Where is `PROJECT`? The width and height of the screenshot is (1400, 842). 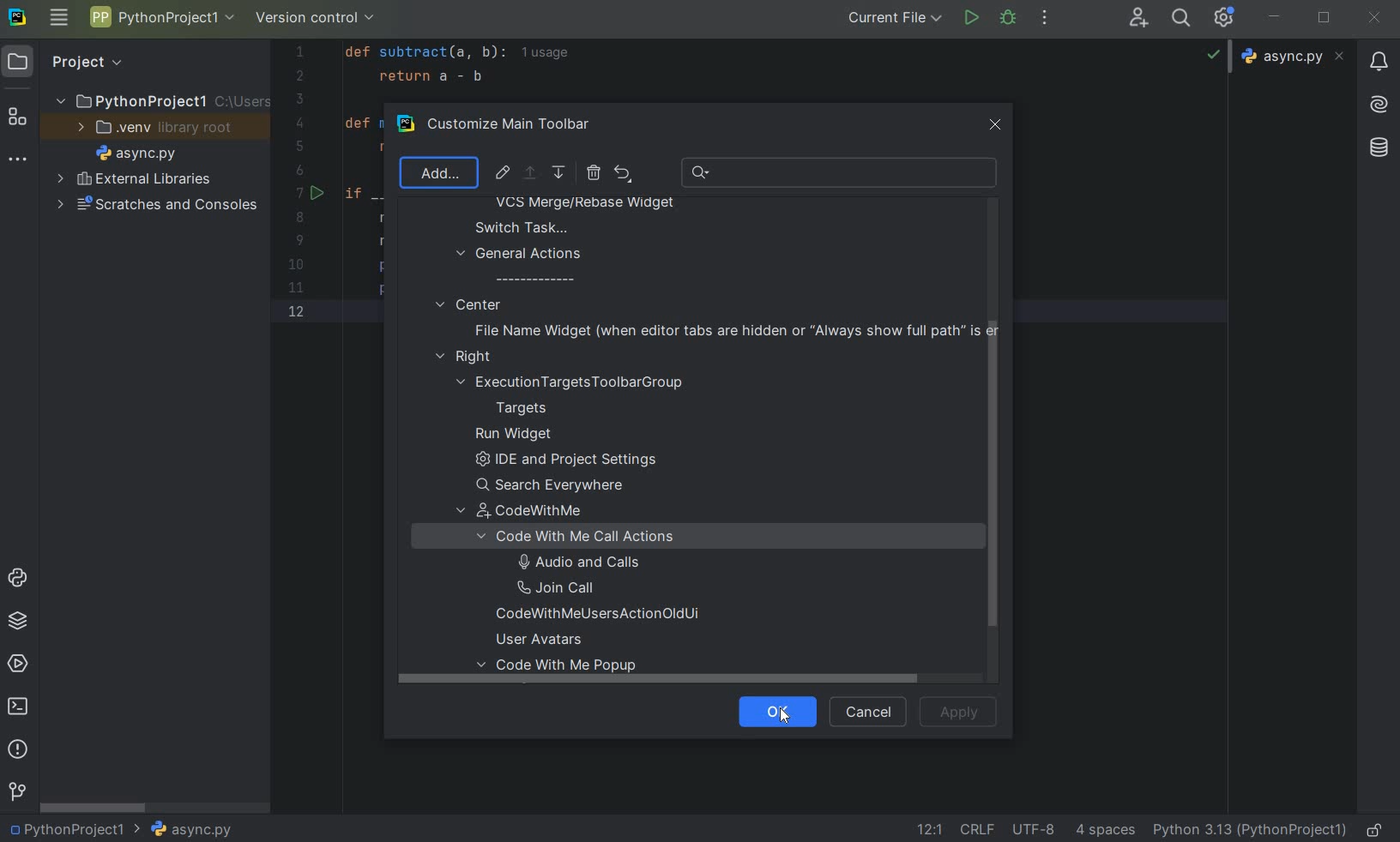
PROJECT is located at coordinates (73, 62).